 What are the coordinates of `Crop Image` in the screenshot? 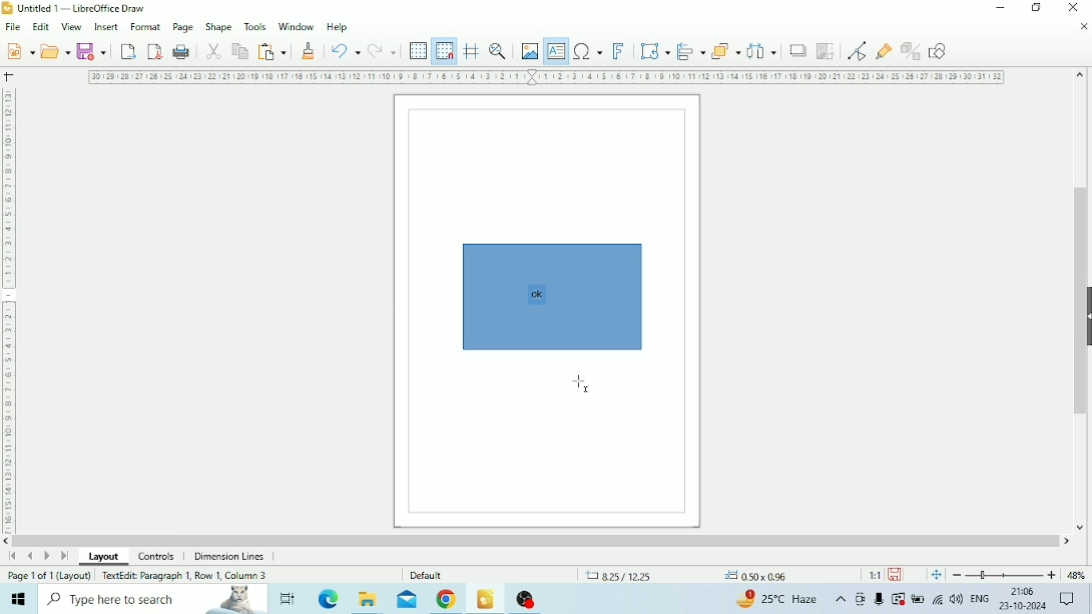 It's located at (826, 51).